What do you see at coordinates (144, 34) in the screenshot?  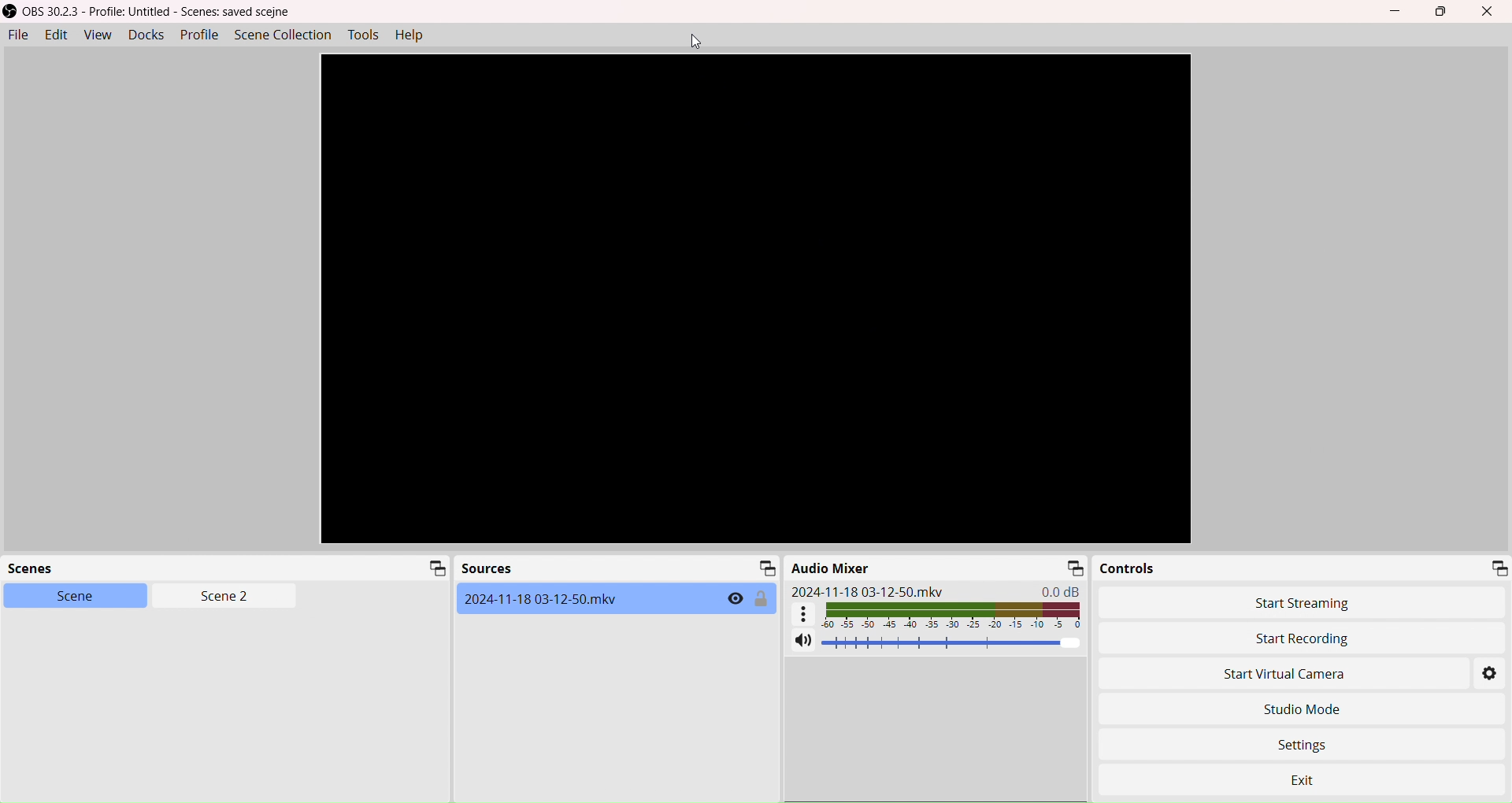 I see `Docks` at bounding box center [144, 34].